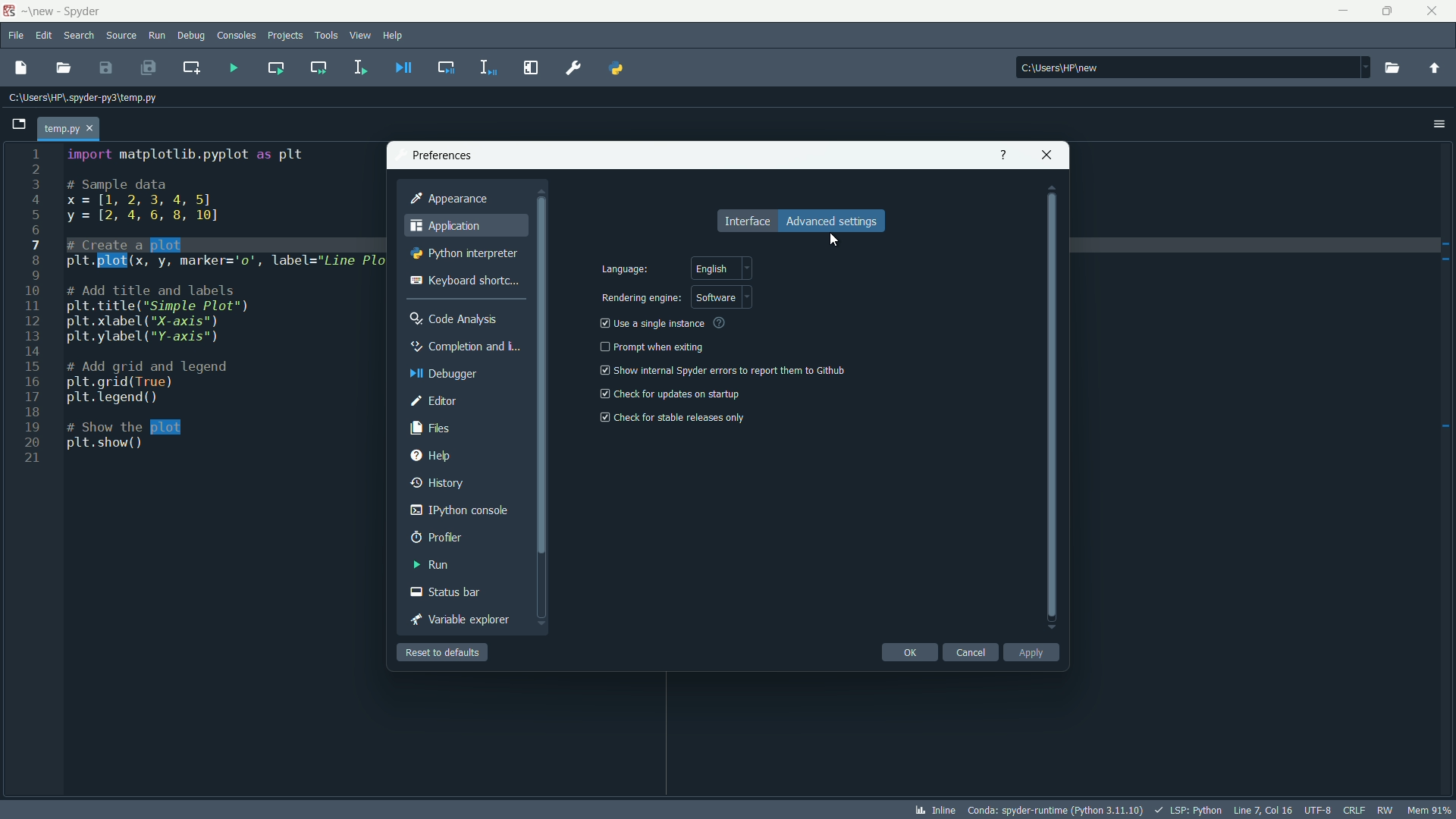  What do you see at coordinates (1046, 155) in the screenshot?
I see `close` at bounding box center [1046, 155].